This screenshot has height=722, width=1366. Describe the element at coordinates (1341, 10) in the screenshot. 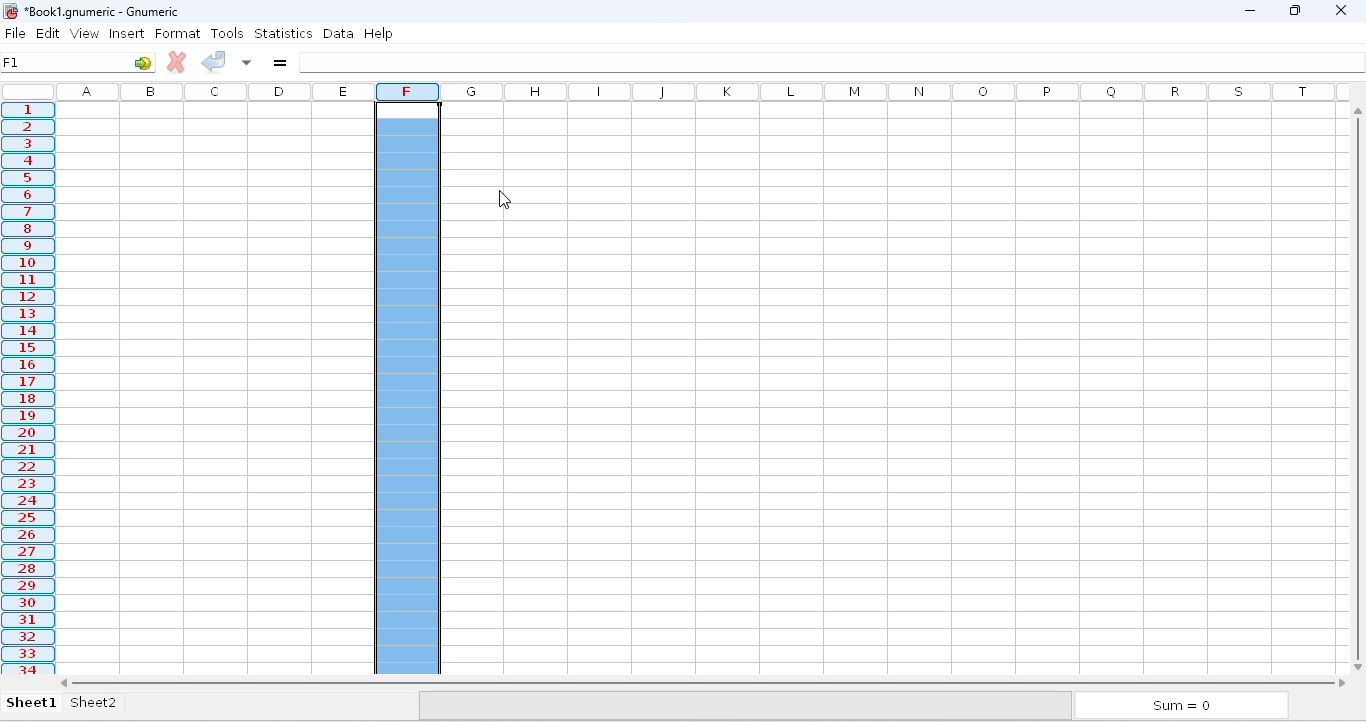

I see `close` at that location.